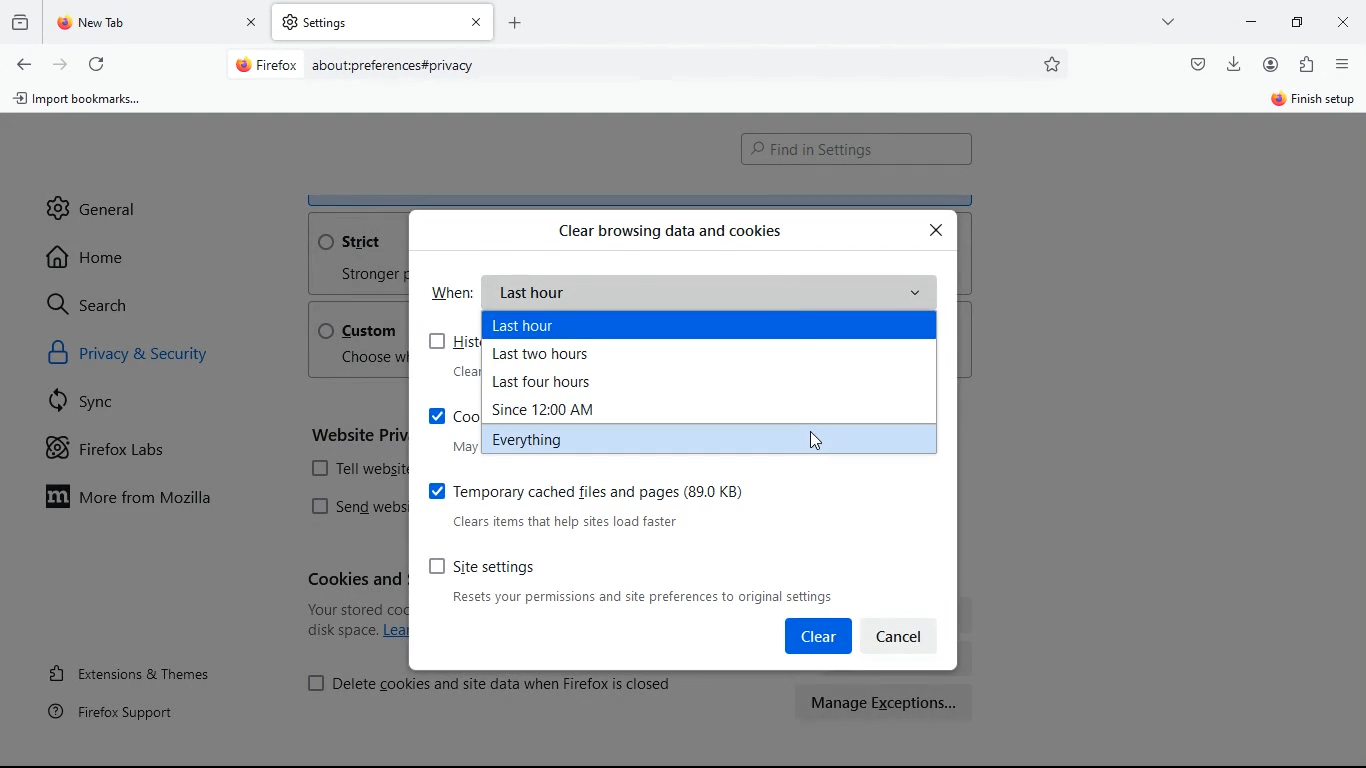 The image size is (1366, 768). Describe the element at coordinates (569, 326) in the screenshot. I see `last hour` at that location.